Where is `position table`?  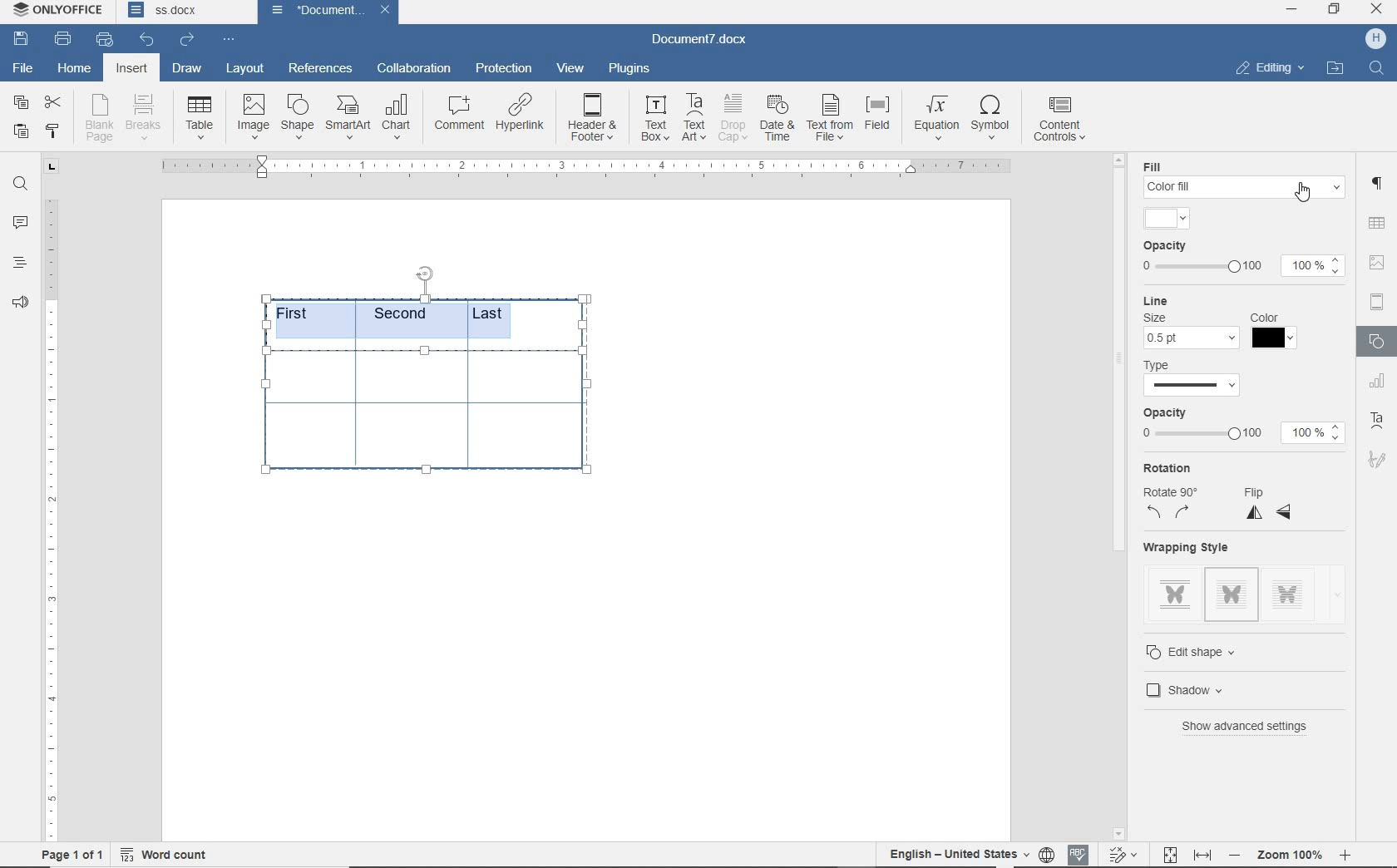
position table is located at coordinates (424, 272).